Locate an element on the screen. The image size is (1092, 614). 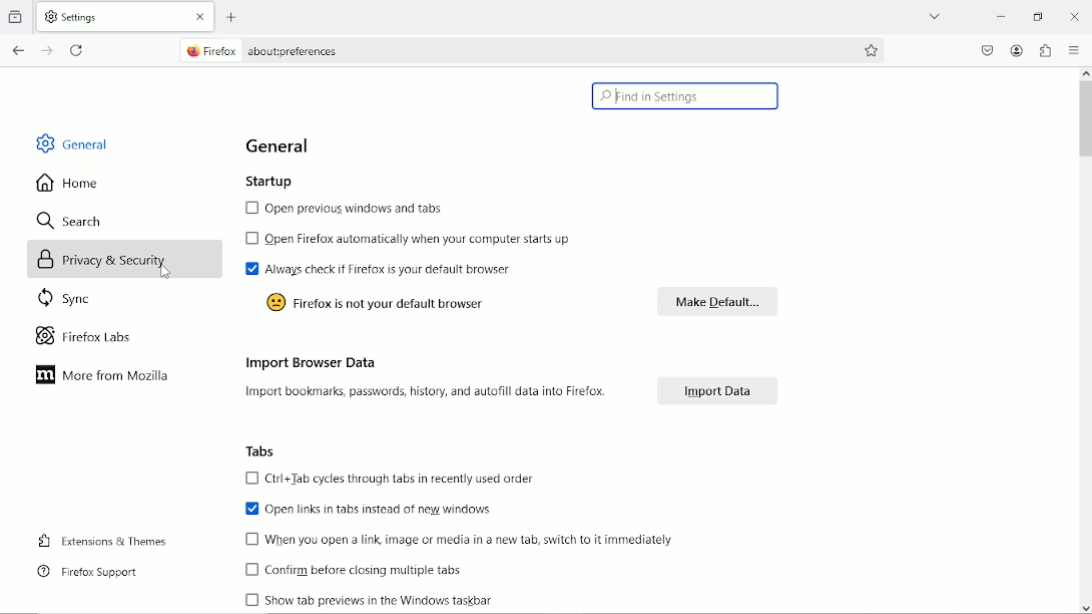
more from mozilla is located at coordinates (103, 375).